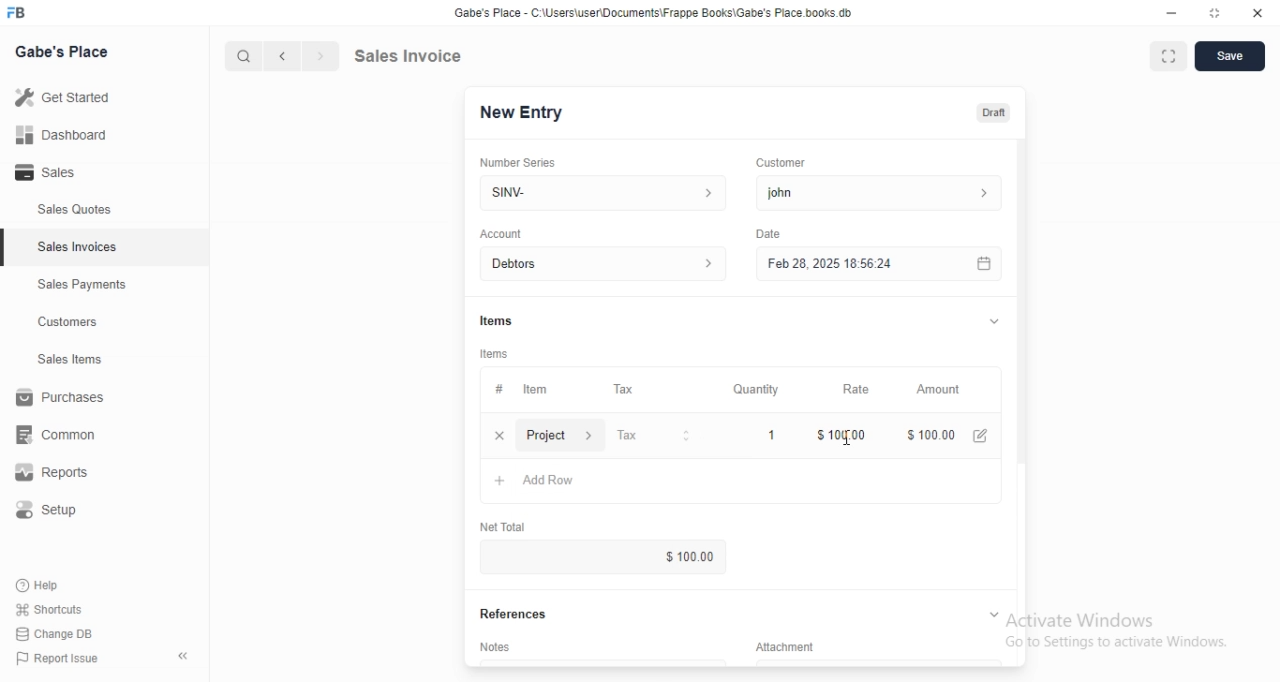 The width and height of the screenshot is (1280, 682). Describe the element at coordinates (511, 524) in the screenshot. I see `‘Net Total` at that location.